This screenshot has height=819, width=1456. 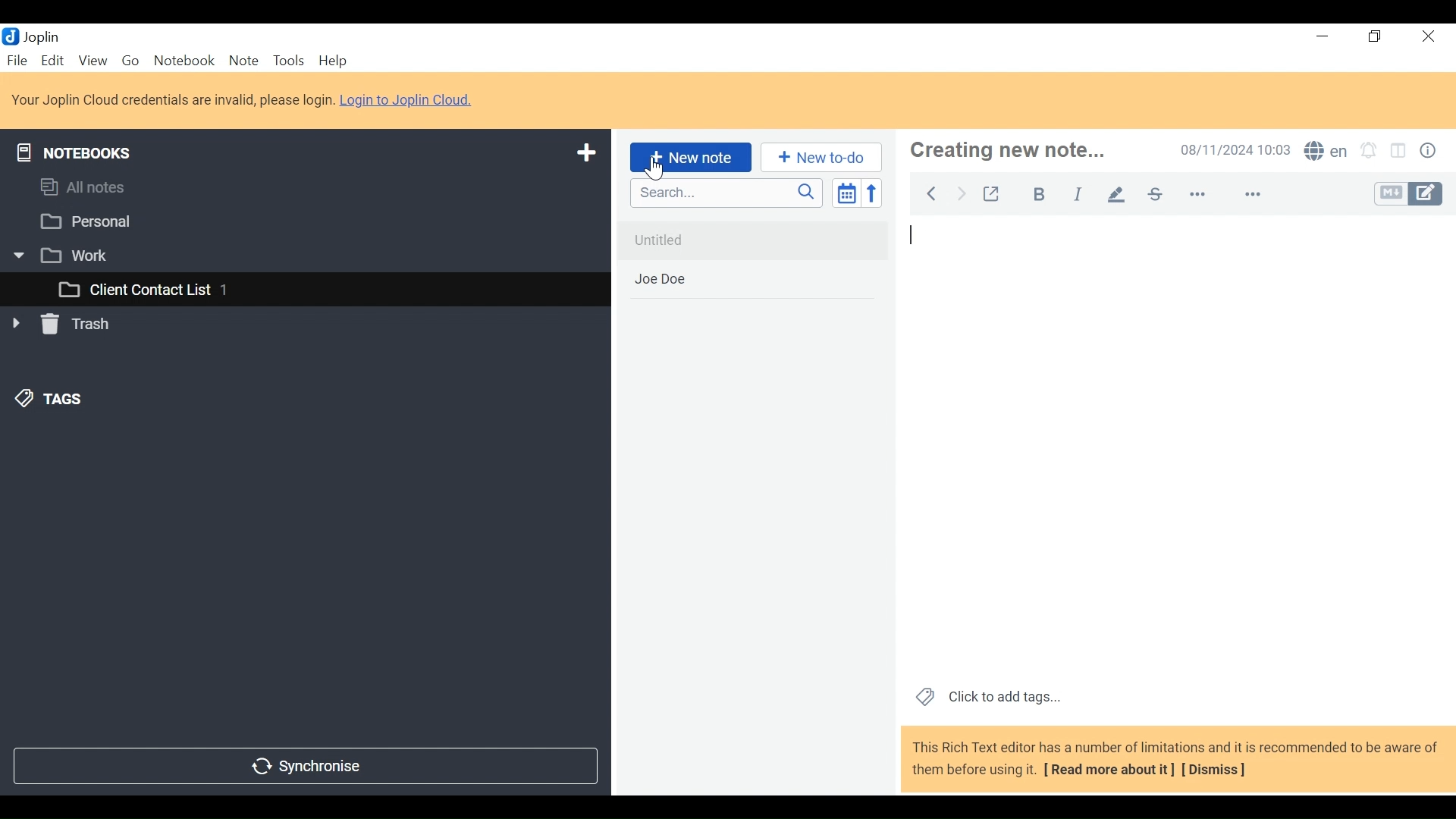 What do you see at coordinates (751, 240) in the screenshot?
I see `Untitled` at bounding box center [751, 240].